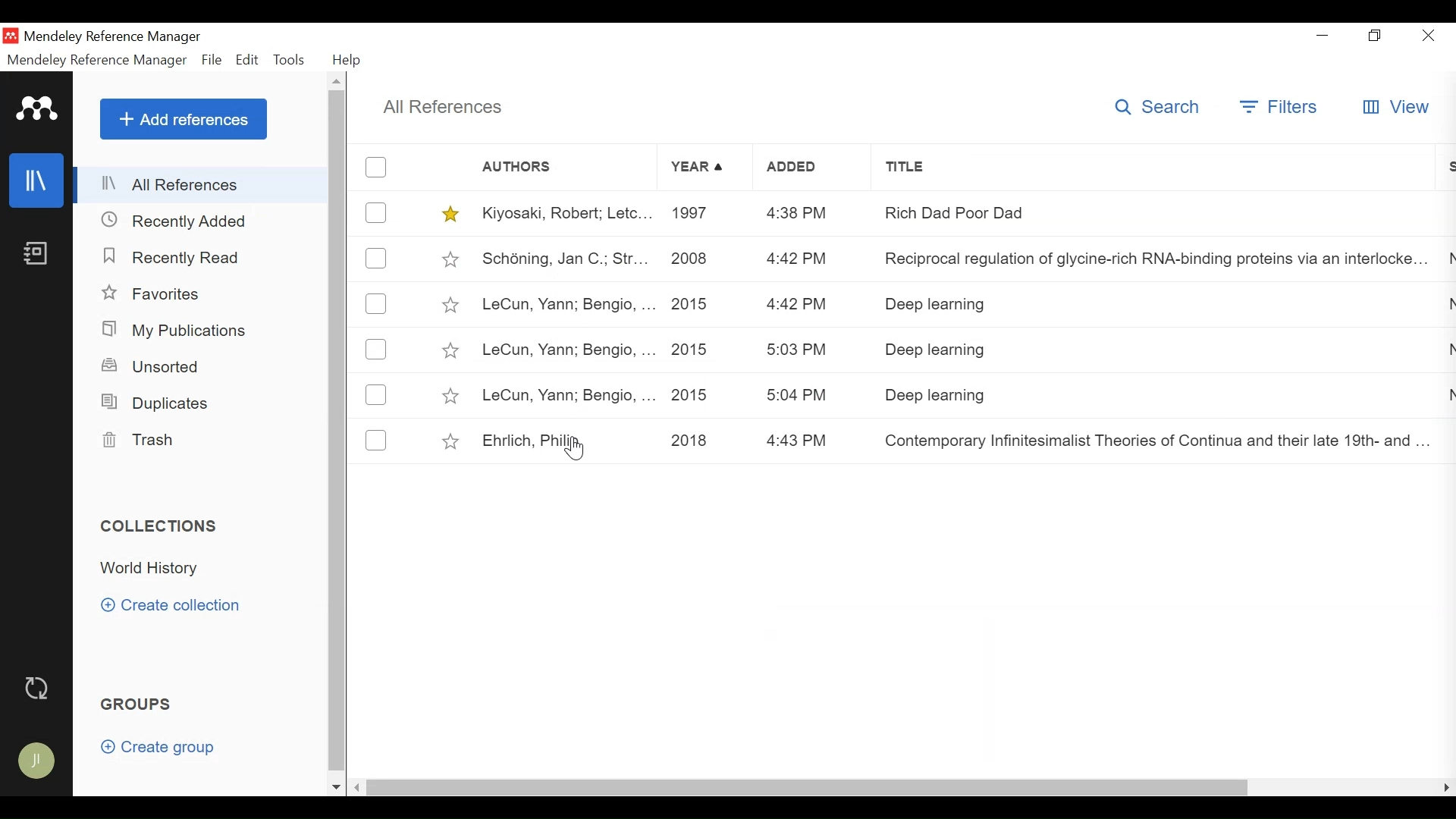  Describe the element at coordinates (174, 331) in the screenshot. I see `My Publications` at that location.